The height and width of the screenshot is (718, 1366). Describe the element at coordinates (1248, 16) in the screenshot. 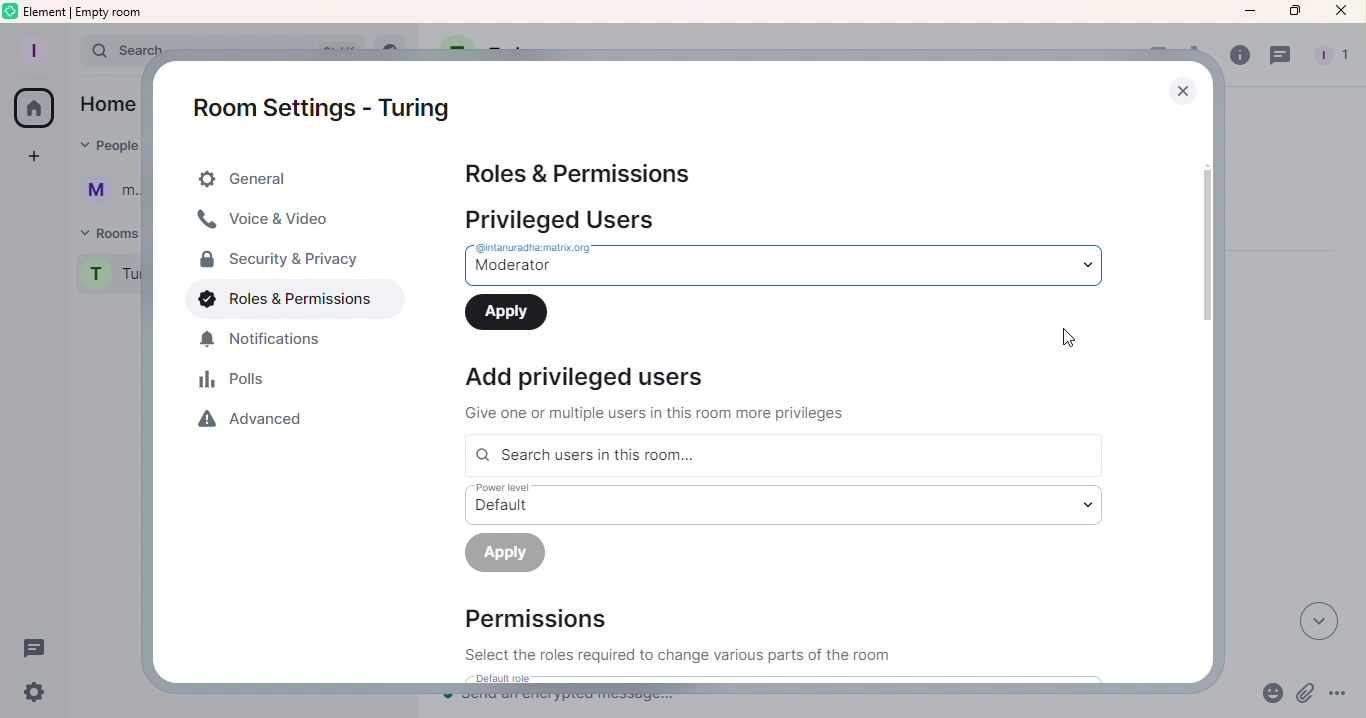

I see `Minimize` at that location.